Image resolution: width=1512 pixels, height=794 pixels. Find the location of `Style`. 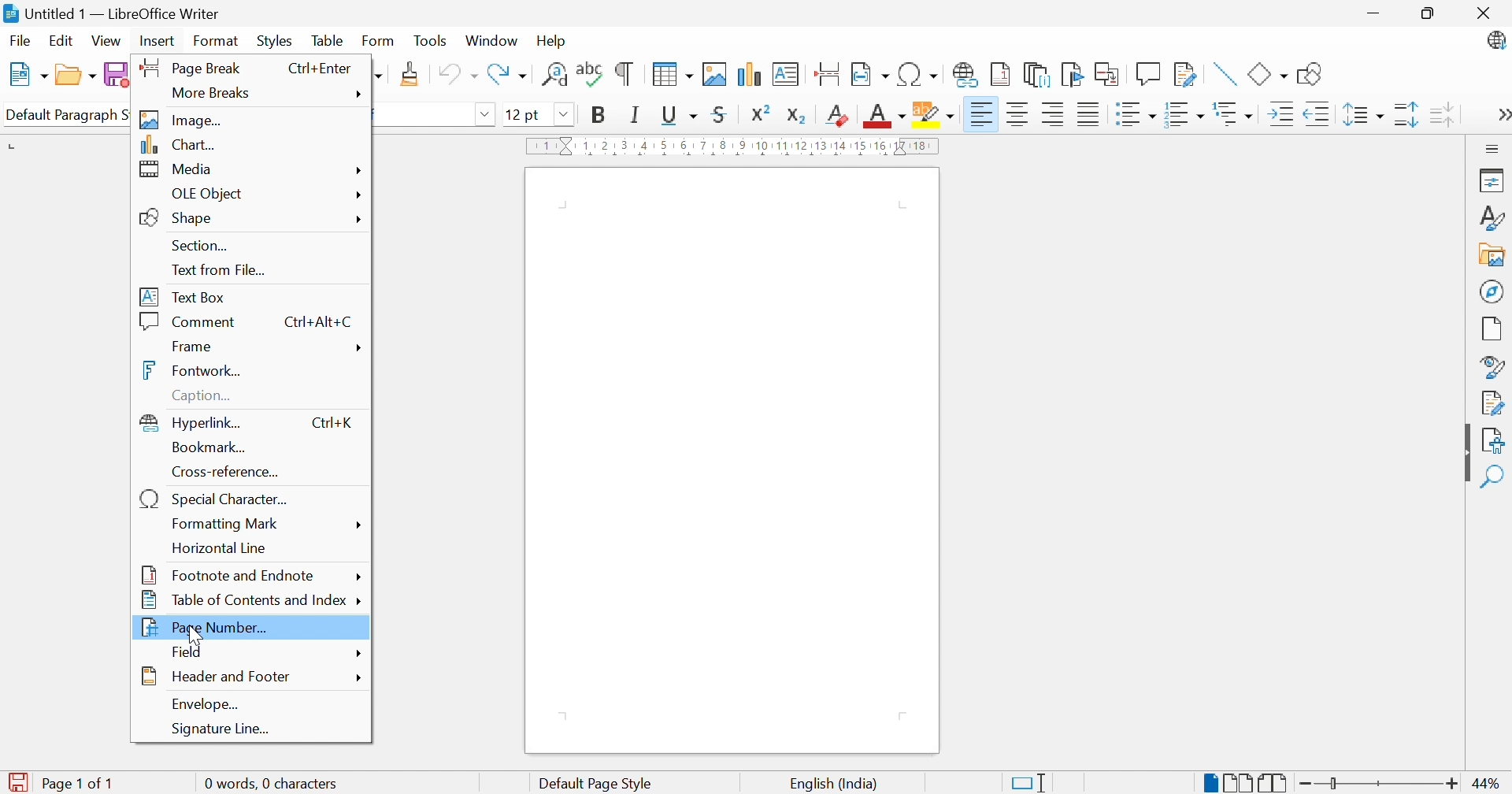

Style is located at coordinates (1491, 366).